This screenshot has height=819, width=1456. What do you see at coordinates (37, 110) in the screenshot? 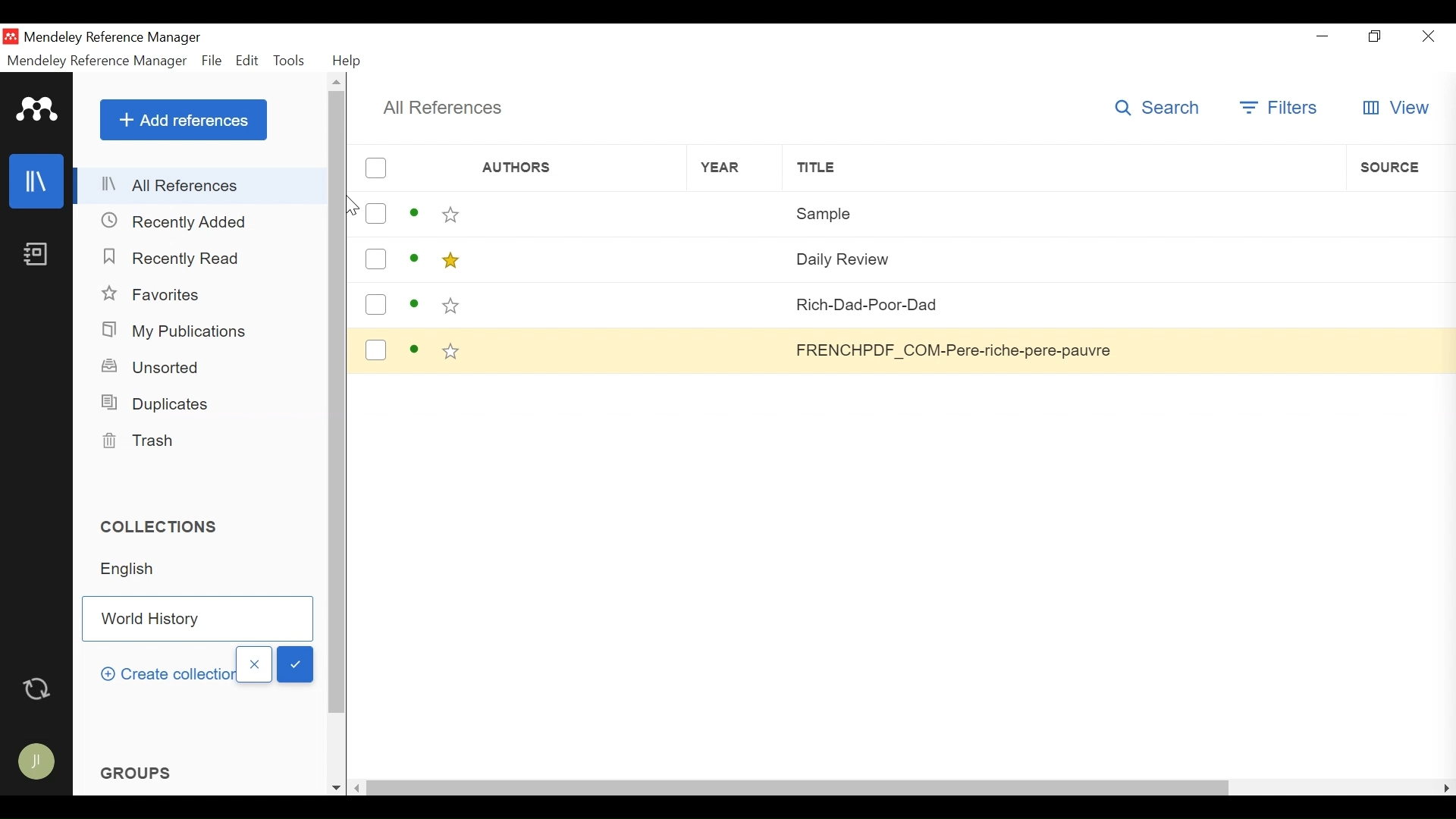
I see `Mendeley logo` at bounding box center [37, 110].